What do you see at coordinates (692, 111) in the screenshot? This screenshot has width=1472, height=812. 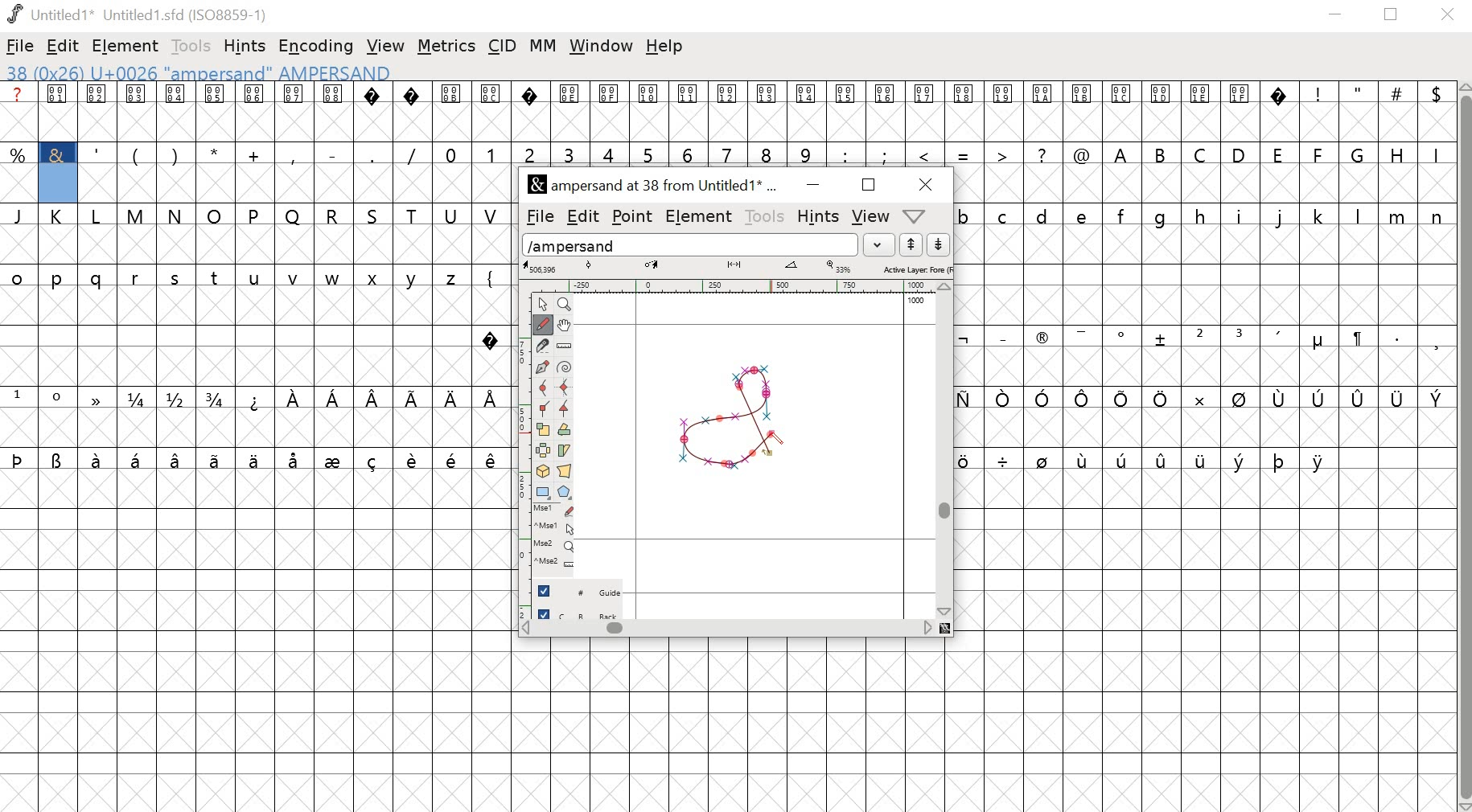 I see `0011` at bounding box center [692, 111].